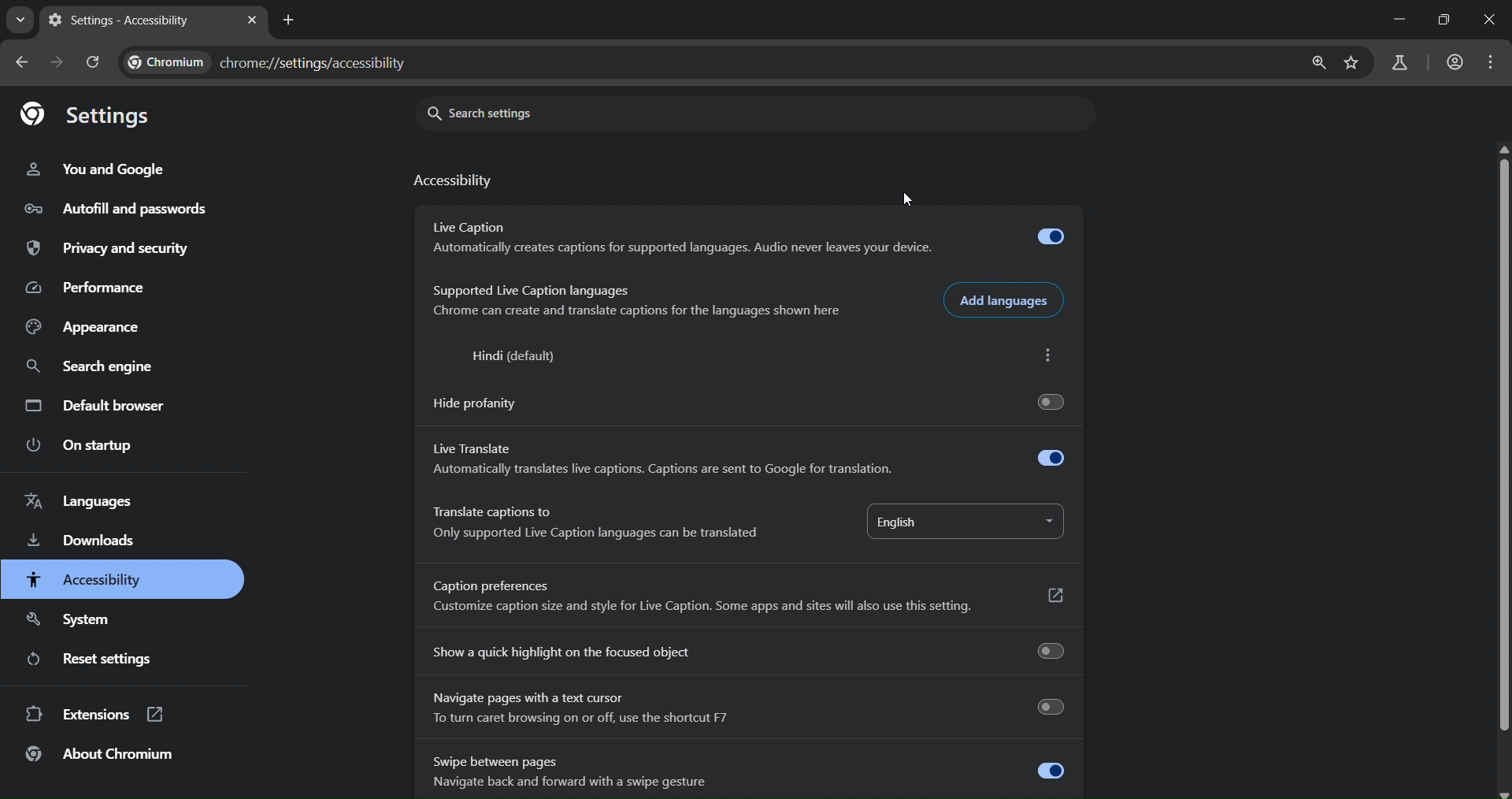 This screenshot has height=799, width=1512. Describe the element at coordinates (251, 22) in the screenshot. I see `close tab` at that location.